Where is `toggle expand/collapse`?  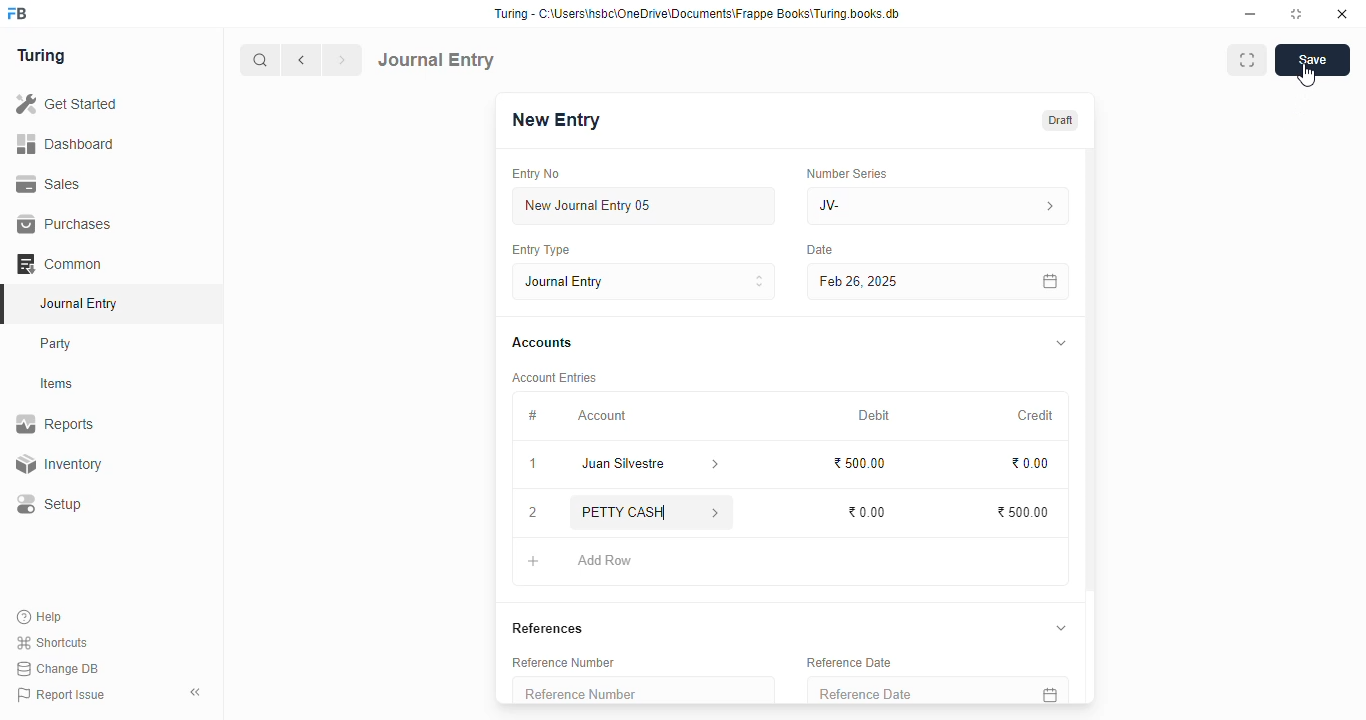
toggle expand/collapse is located at coordinates (1062, 344).